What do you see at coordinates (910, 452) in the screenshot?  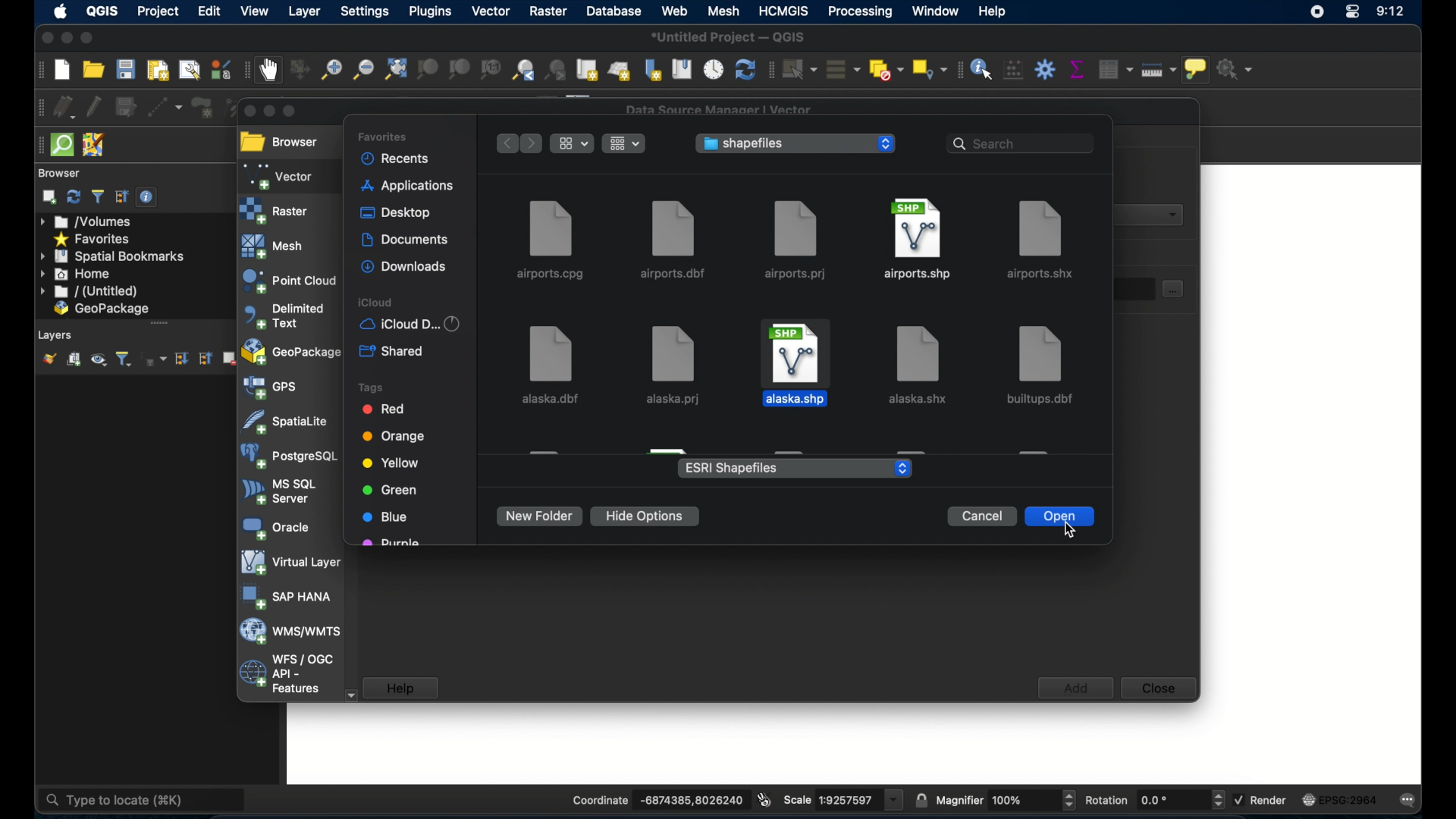 I see `obscured file` at bounding box center [910, 452].